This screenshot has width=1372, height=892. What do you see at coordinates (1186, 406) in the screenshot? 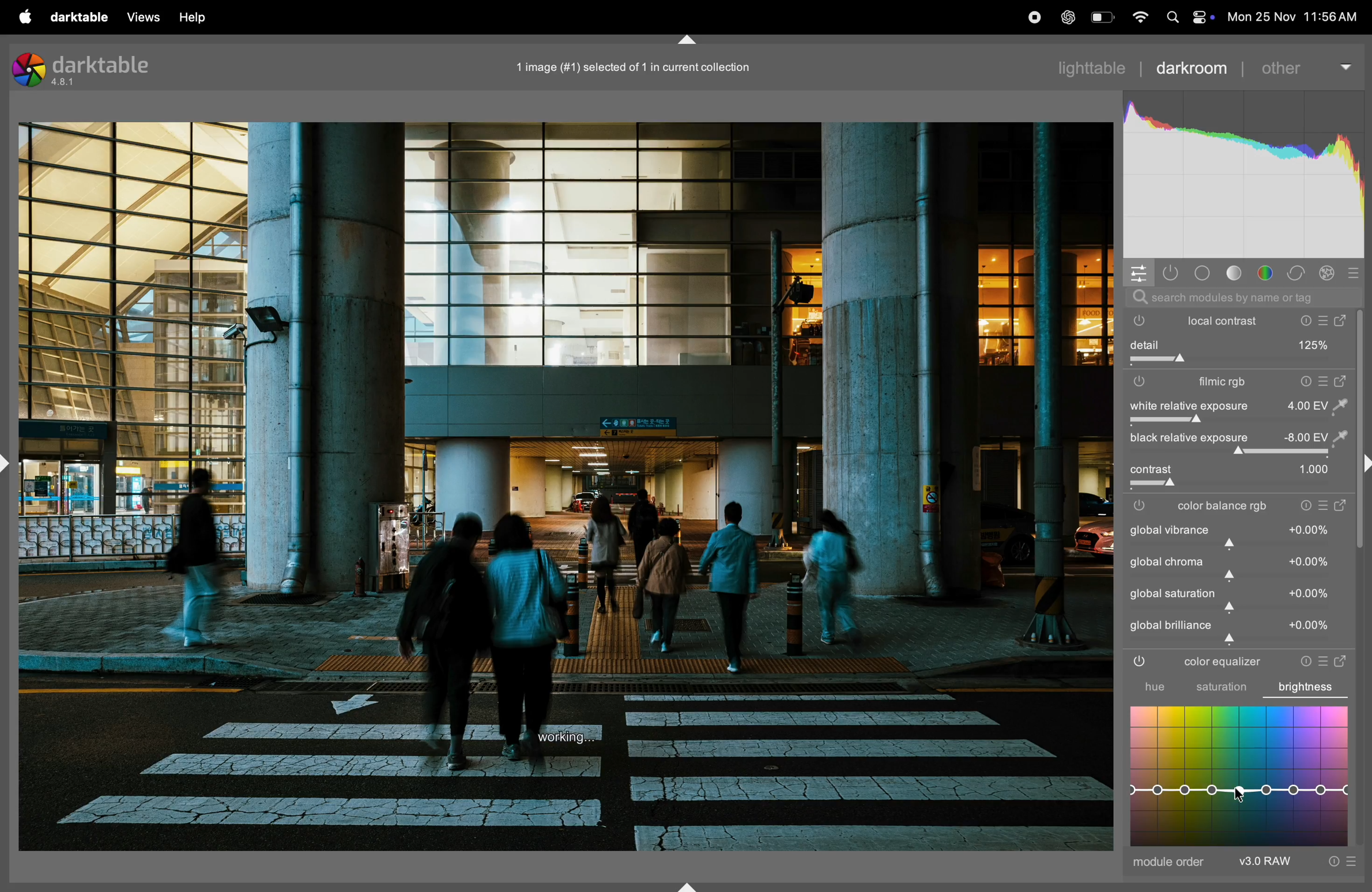
I see `white relavtive exposure` at bounding box center [1186, 406].